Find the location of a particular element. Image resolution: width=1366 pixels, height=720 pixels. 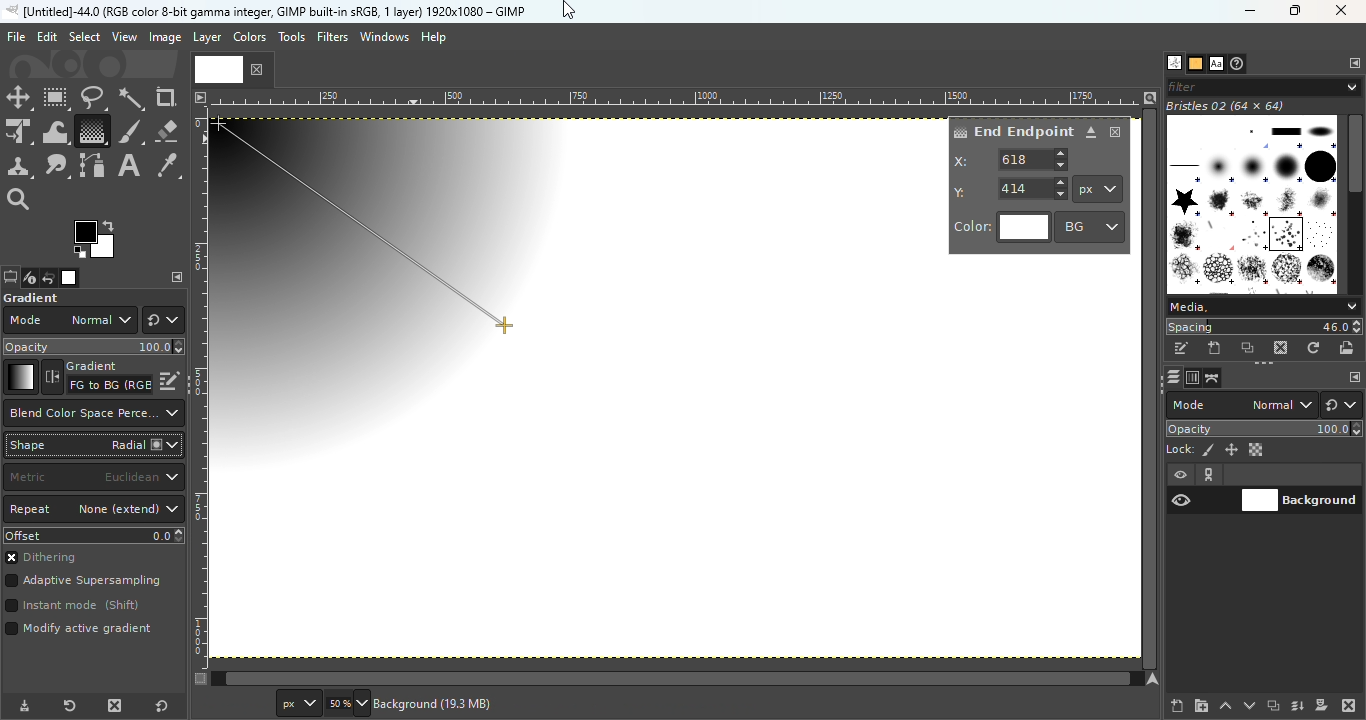

Duplicate this brush is located at coordinates (1249, 348).